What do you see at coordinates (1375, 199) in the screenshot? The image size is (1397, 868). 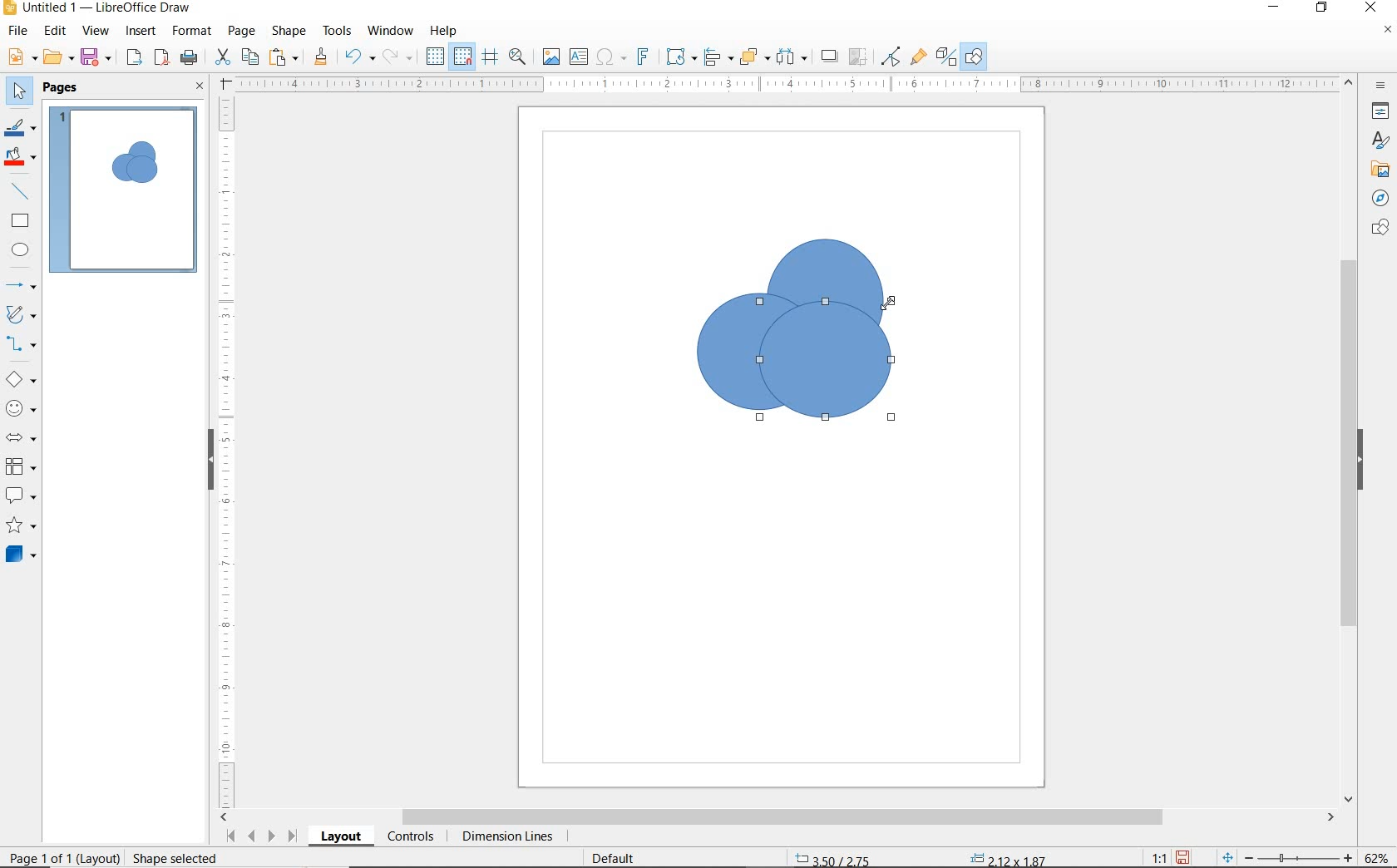 I see `NAVIGATOR` at bounding box center [1375, 199].